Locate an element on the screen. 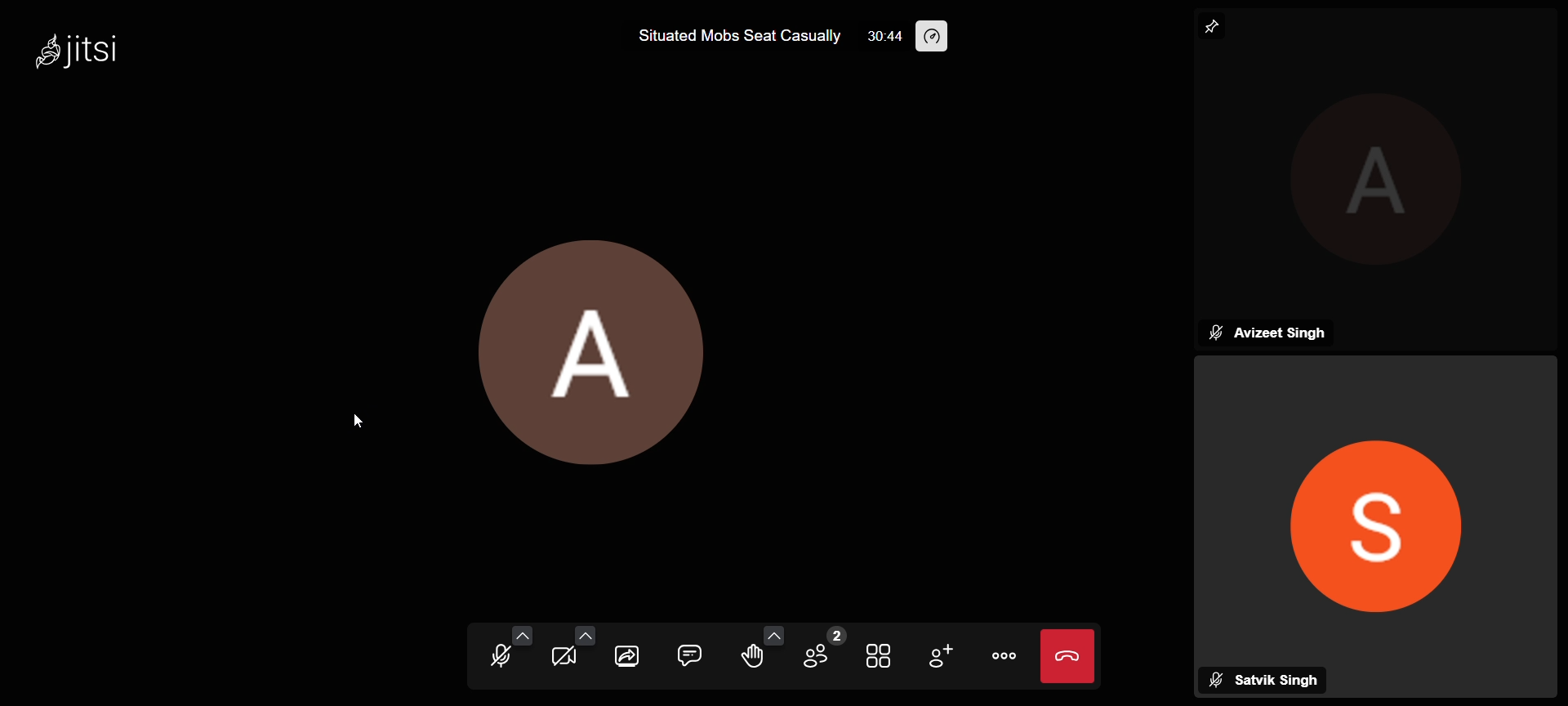 The width and height of the screenshot is (1568, 706). unmute mic is located at coordinates (494, 655).